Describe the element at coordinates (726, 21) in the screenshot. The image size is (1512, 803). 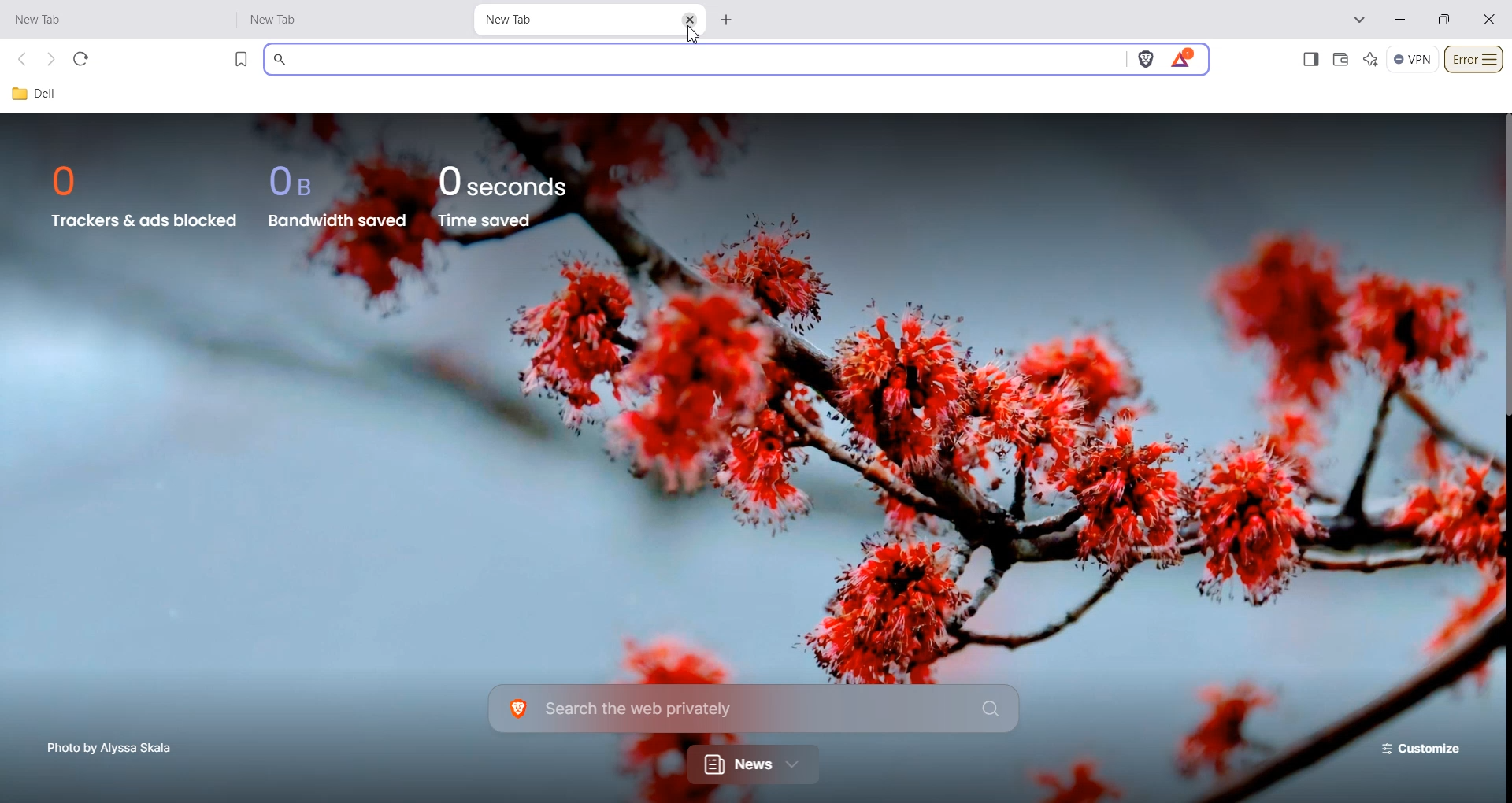
I see `Add new tab` at that location.